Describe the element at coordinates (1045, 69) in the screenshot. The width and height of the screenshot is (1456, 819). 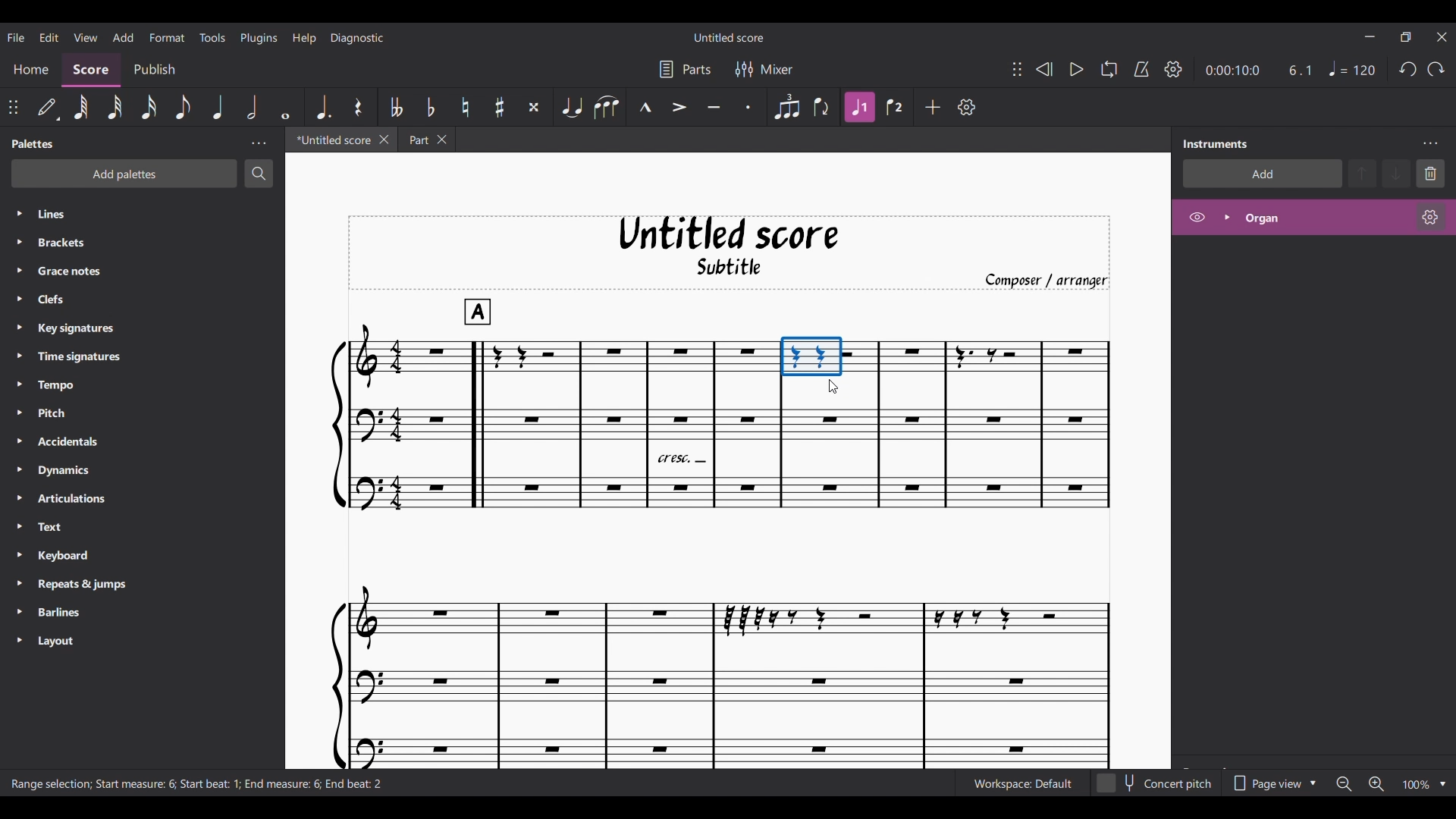
I see `Rewind` at that location.